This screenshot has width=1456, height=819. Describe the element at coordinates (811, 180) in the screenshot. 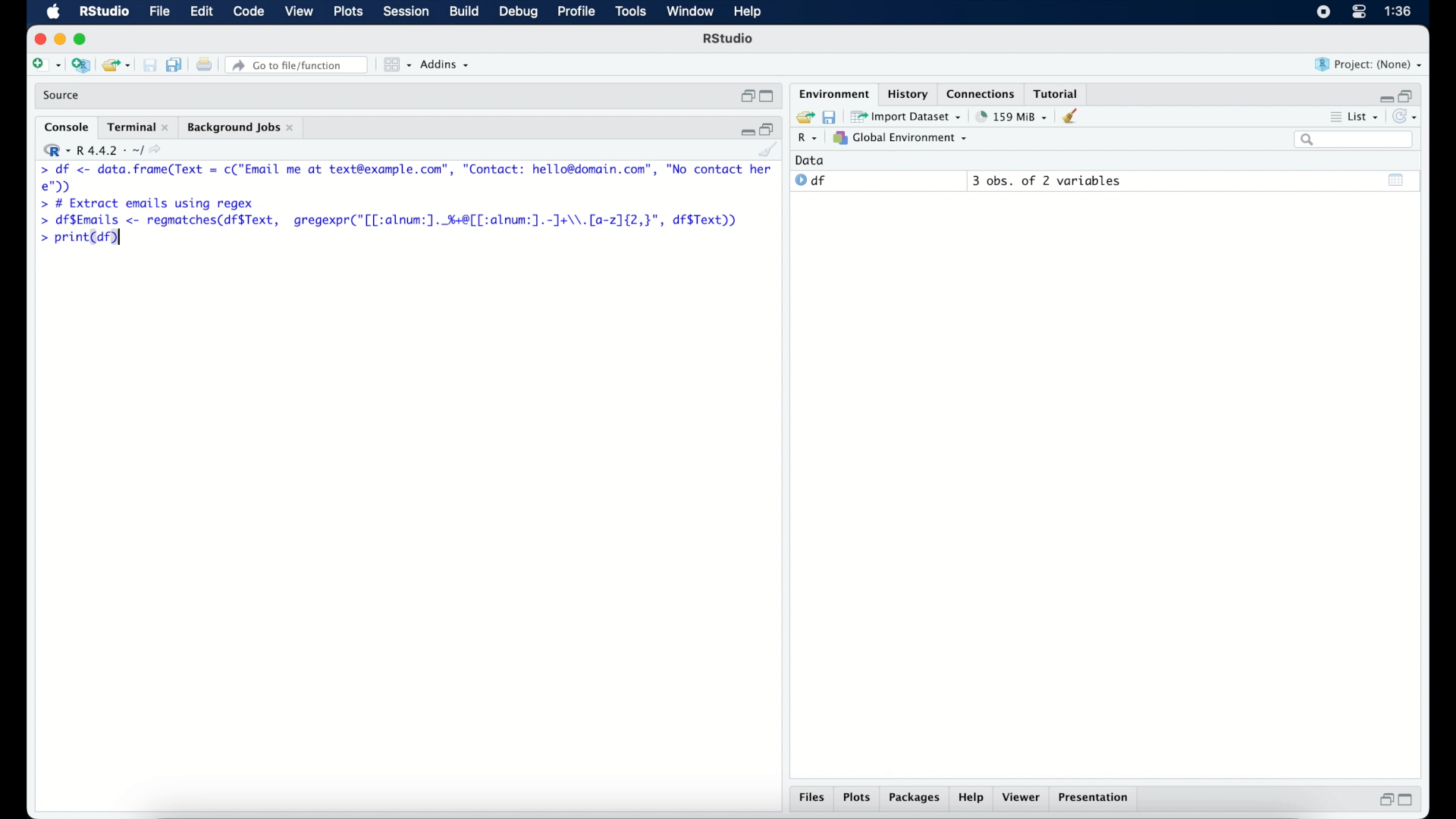

I see `df` at that location.